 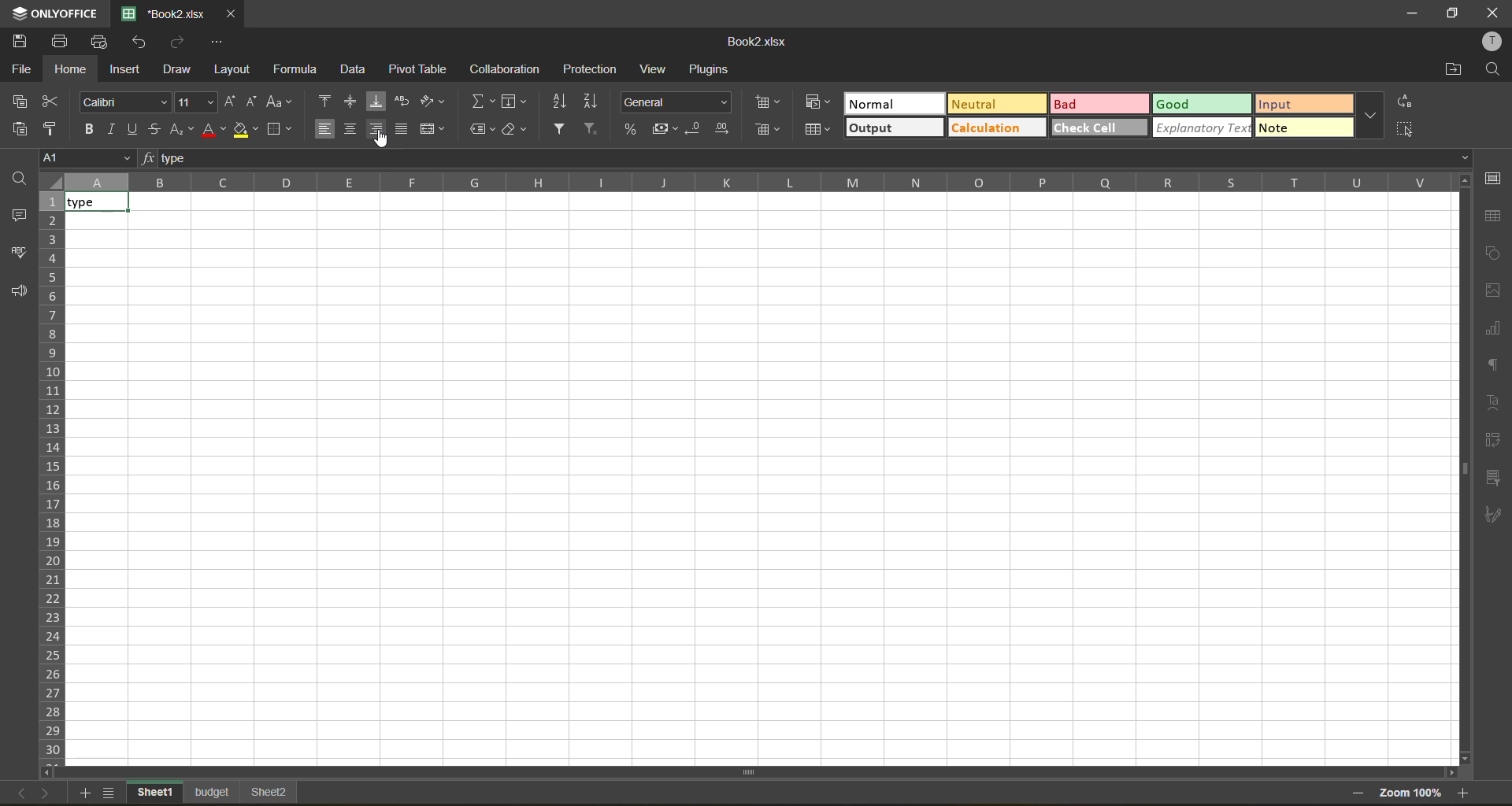 I want to click on normal, so click(x=893, y=102).